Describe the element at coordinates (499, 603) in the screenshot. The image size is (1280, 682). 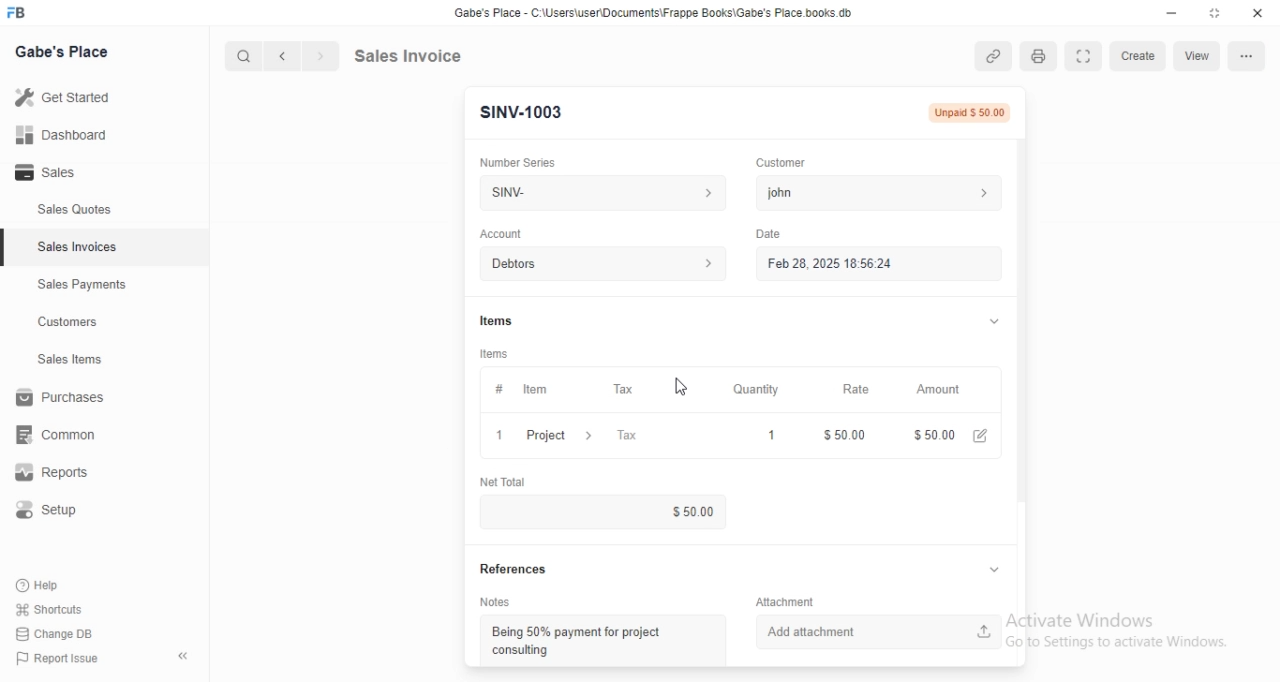
I see `‘Notes` at that location.